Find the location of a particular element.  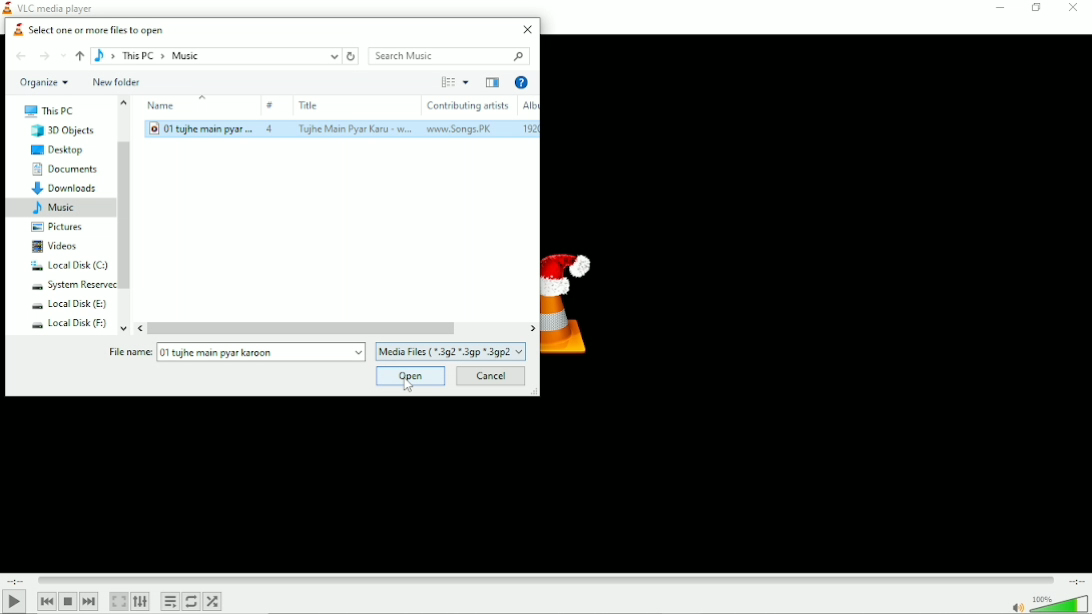

Restore down is located at coordinates (1035, 10).